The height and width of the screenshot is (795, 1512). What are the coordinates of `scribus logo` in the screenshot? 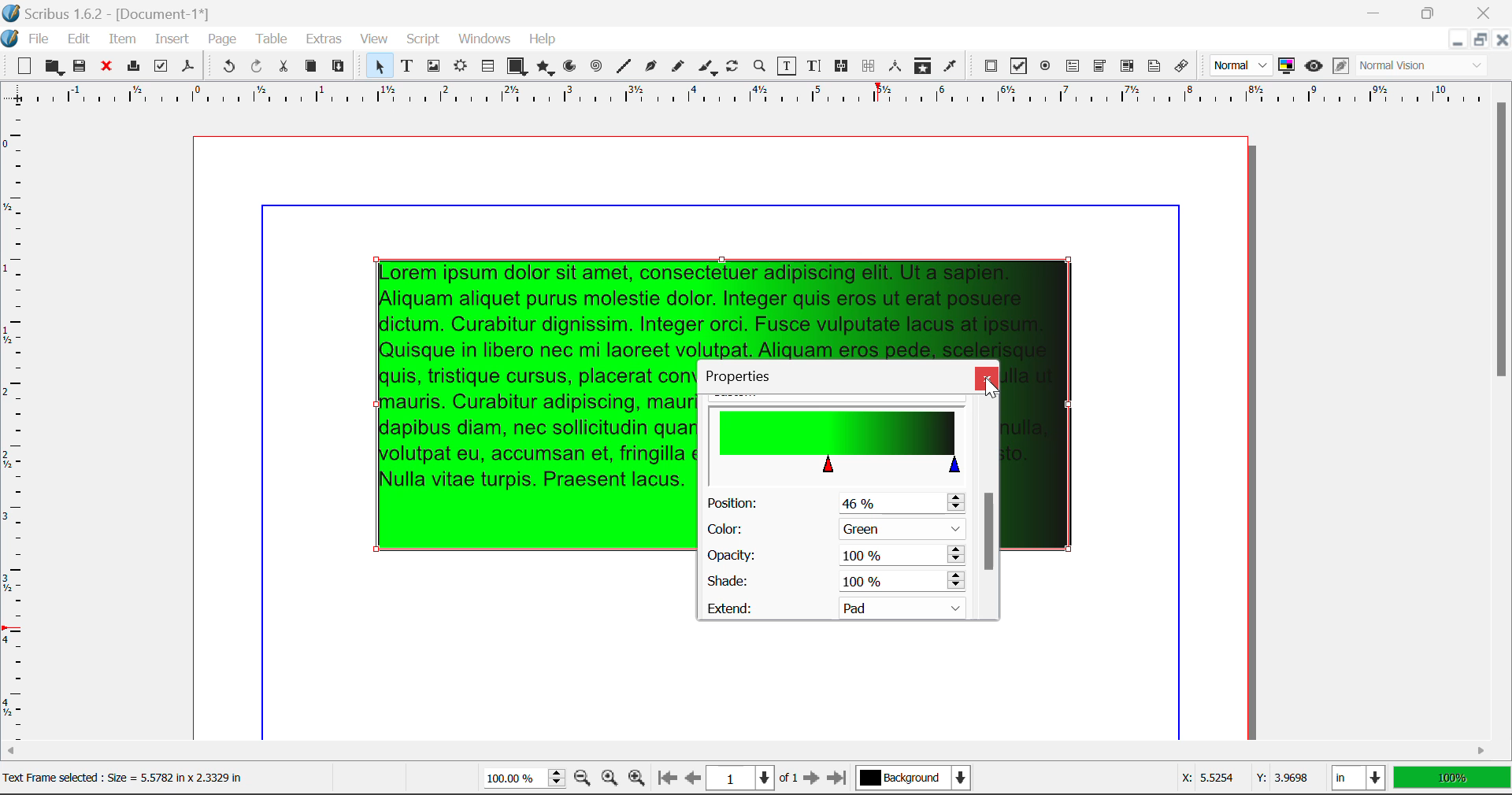 It's located at (13, 39).